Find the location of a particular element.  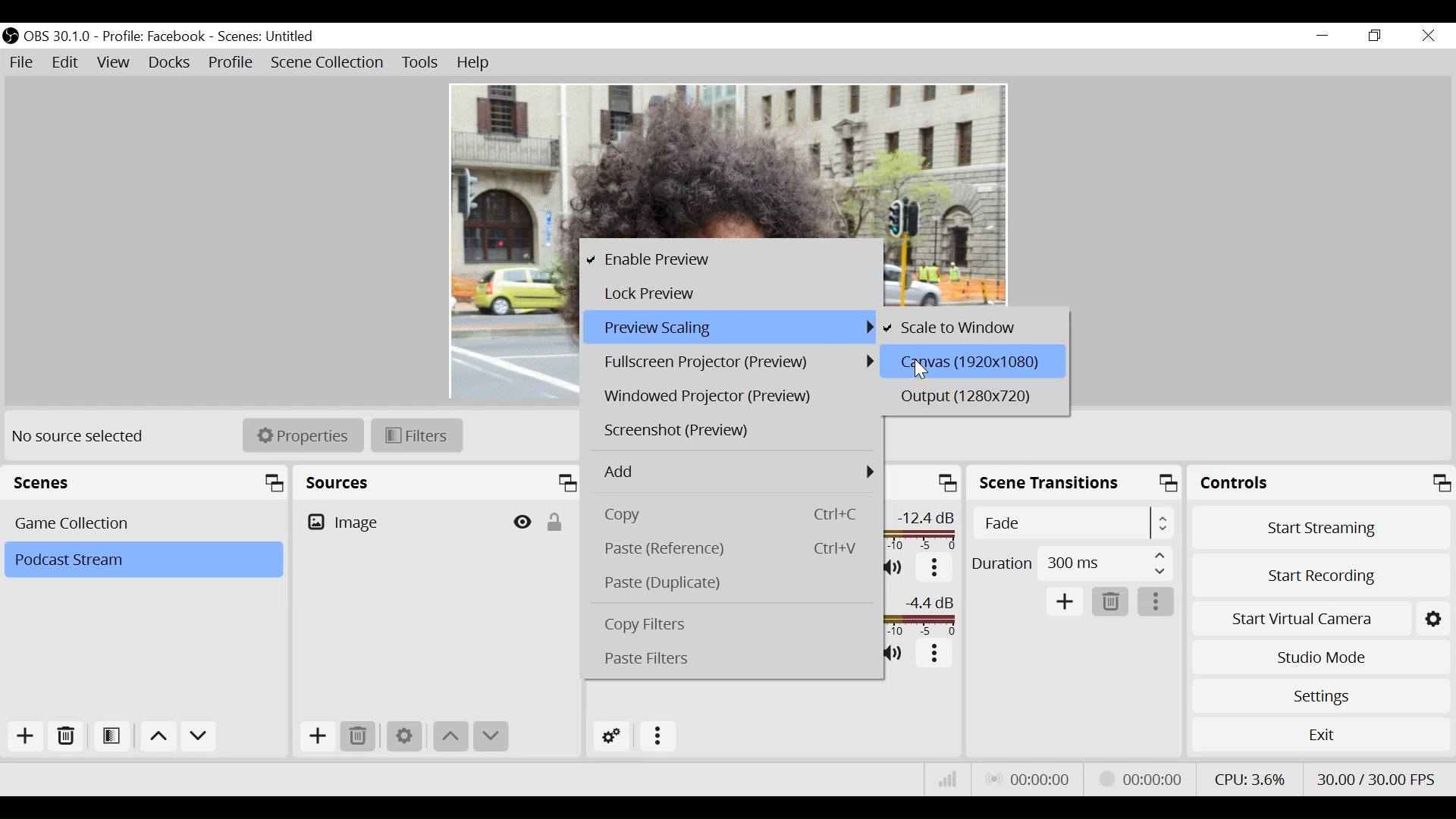

Docks is located at coordinates (171, 64).